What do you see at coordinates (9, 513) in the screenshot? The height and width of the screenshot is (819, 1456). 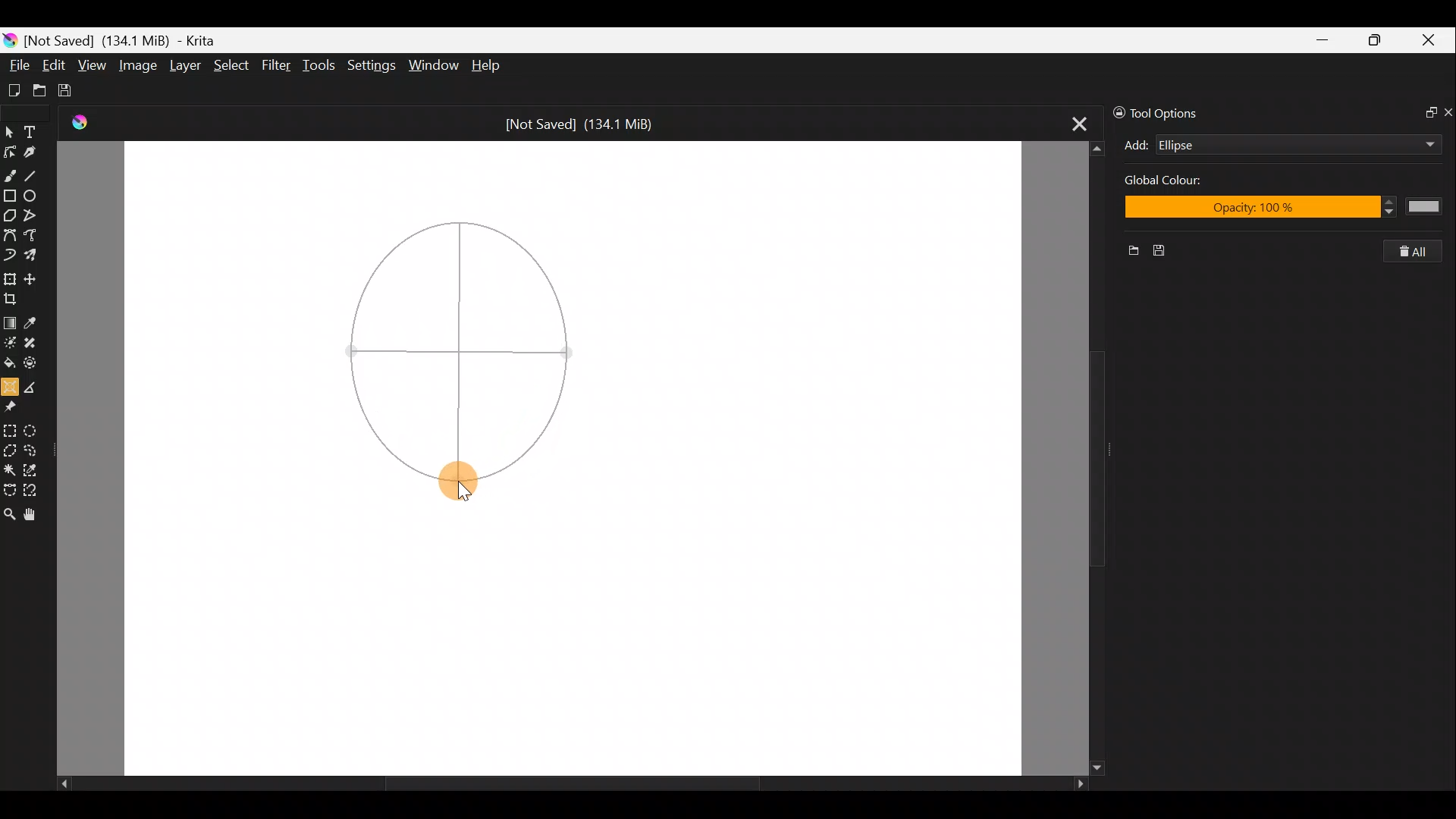 I see `Zoom tool` at bounding box center [9, 513].